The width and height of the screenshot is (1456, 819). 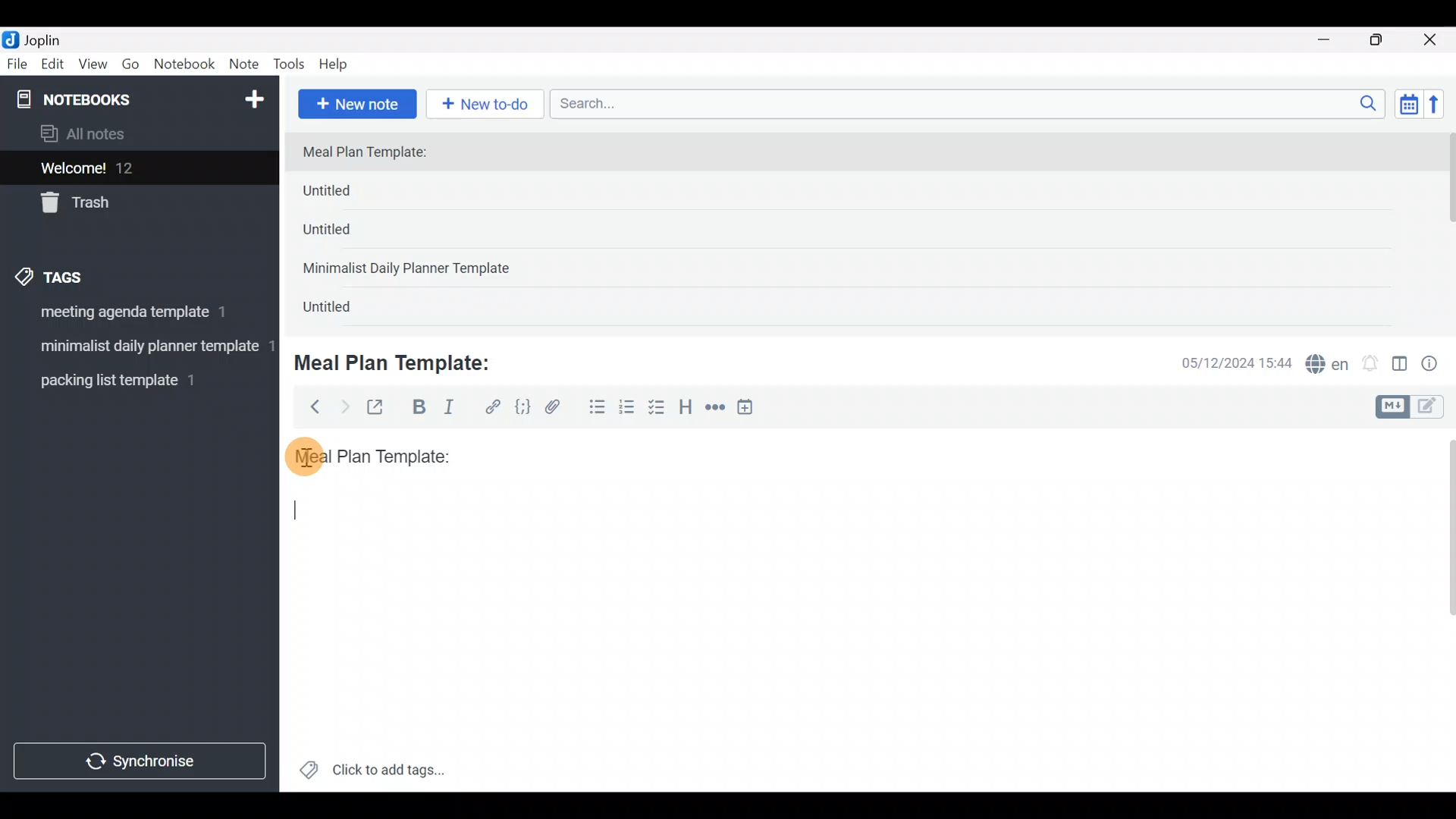 What do you see at coordinates (130, 204) in the screenshot?
I see `Trash` at bounding box center [130, 204].